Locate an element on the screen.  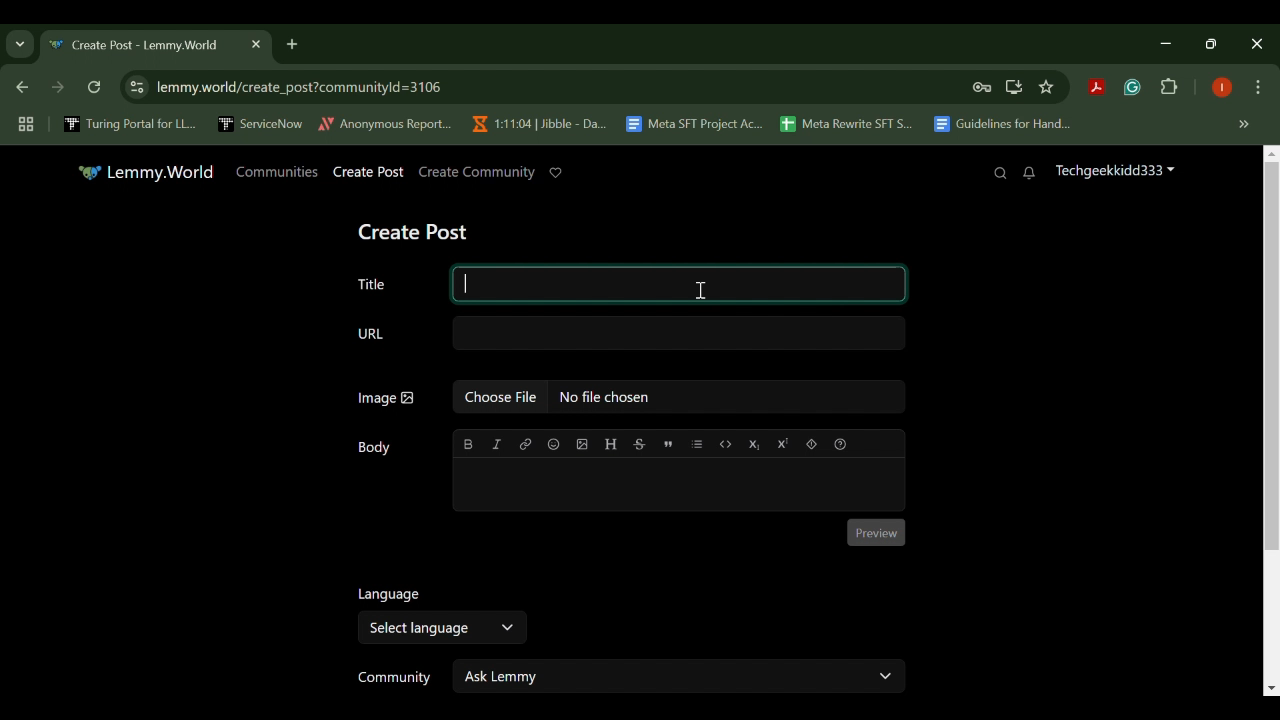
upload image is located at coordinates (582, 444).